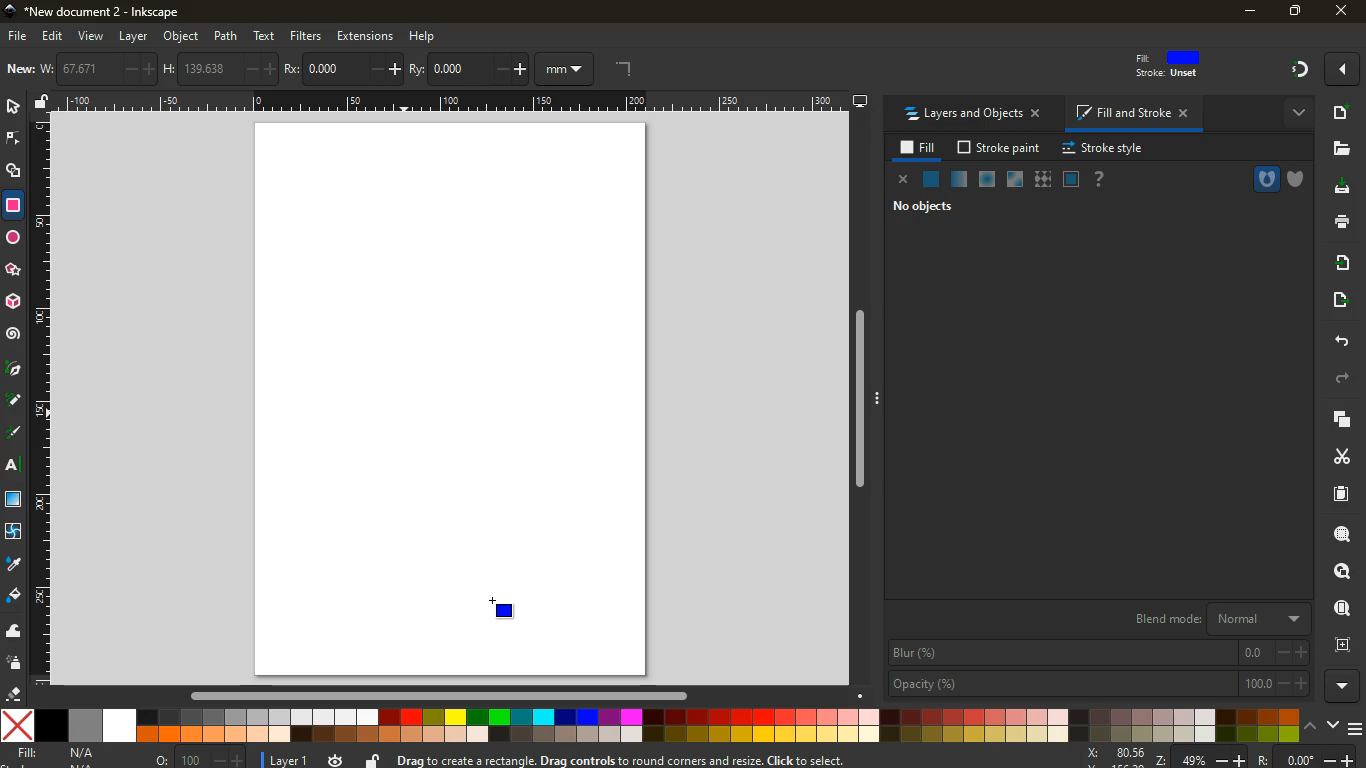 This screenshot has width=1366, height=768. What do you see at coordinates (424, 37) in the screenshot?
I see `help` at bounding box center [424, 37].